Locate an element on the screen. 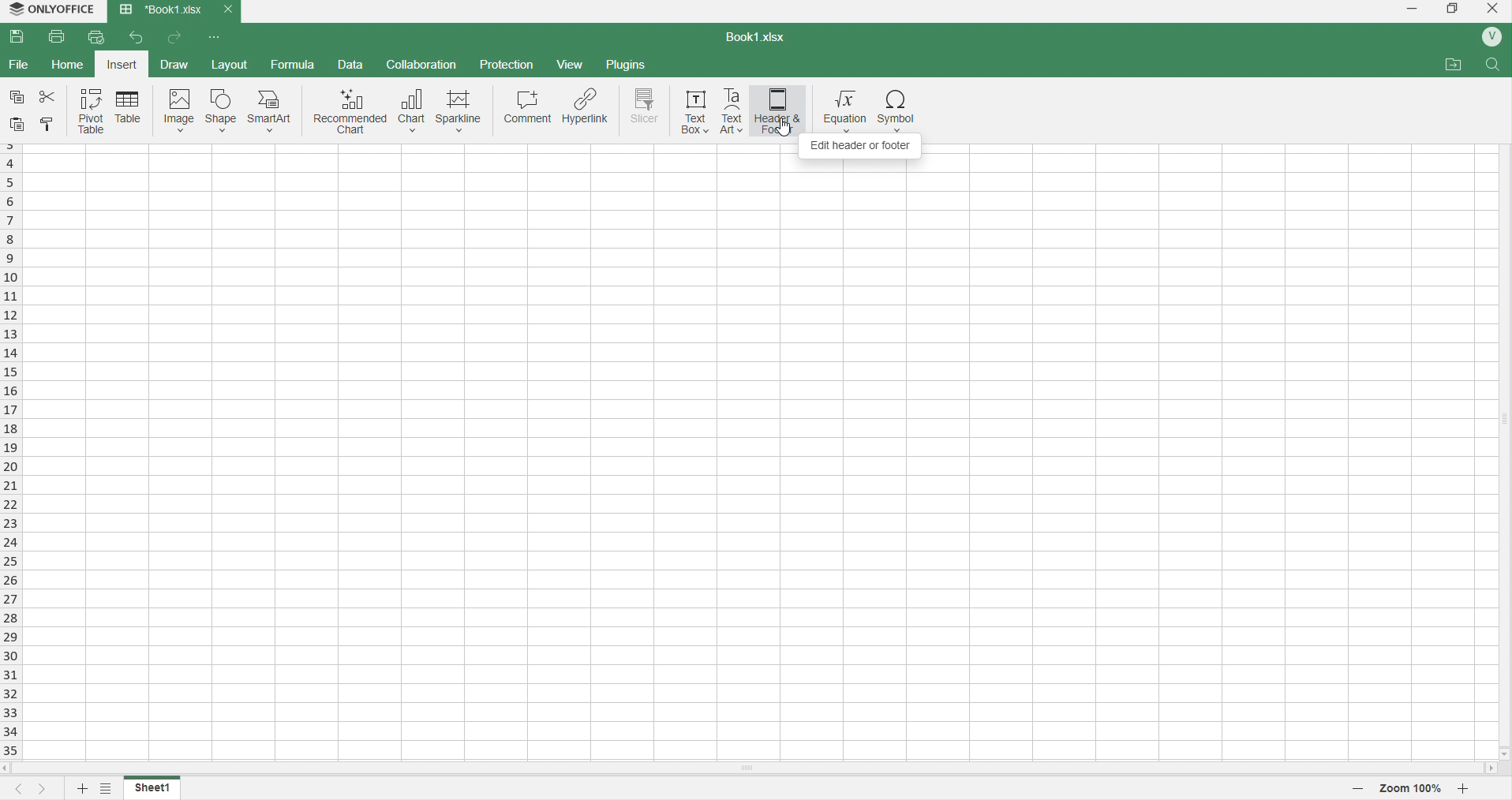 The height and width of the screenshot is (800, 1512). text box is located at coordinates (694, 112).